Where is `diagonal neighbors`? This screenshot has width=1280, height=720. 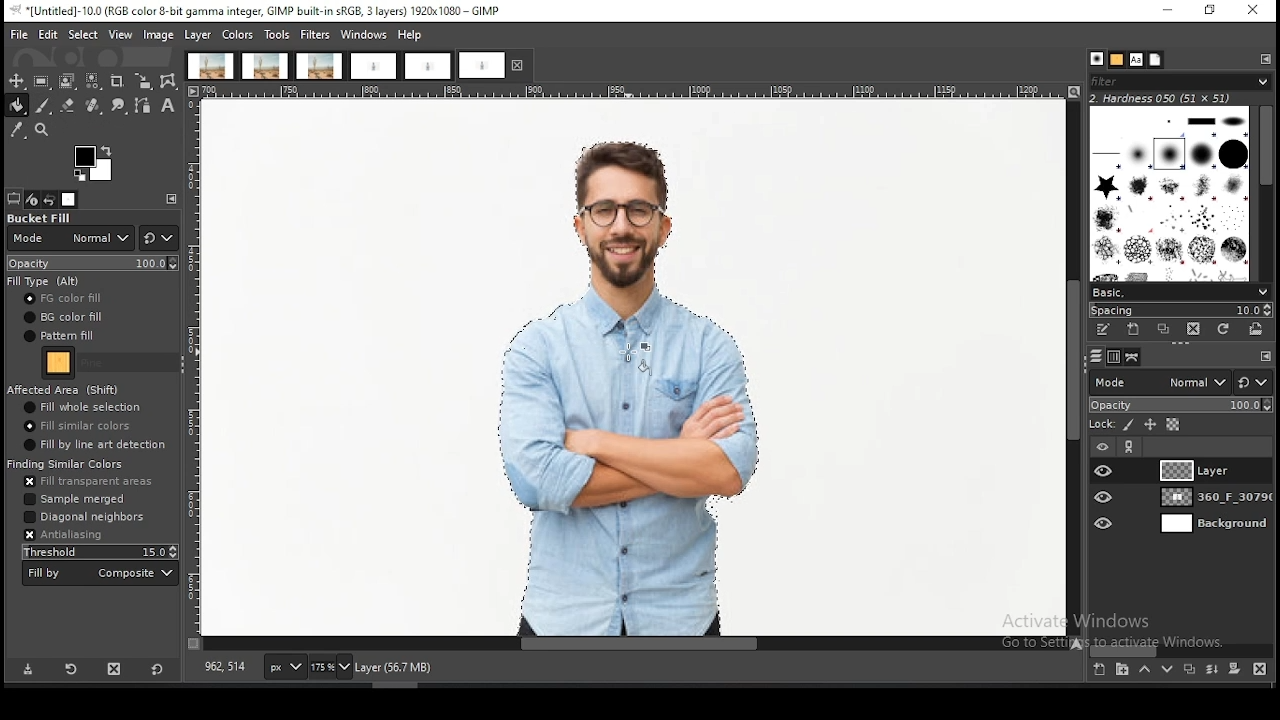
diagonal neighbors is located at coordinates (86, 518).